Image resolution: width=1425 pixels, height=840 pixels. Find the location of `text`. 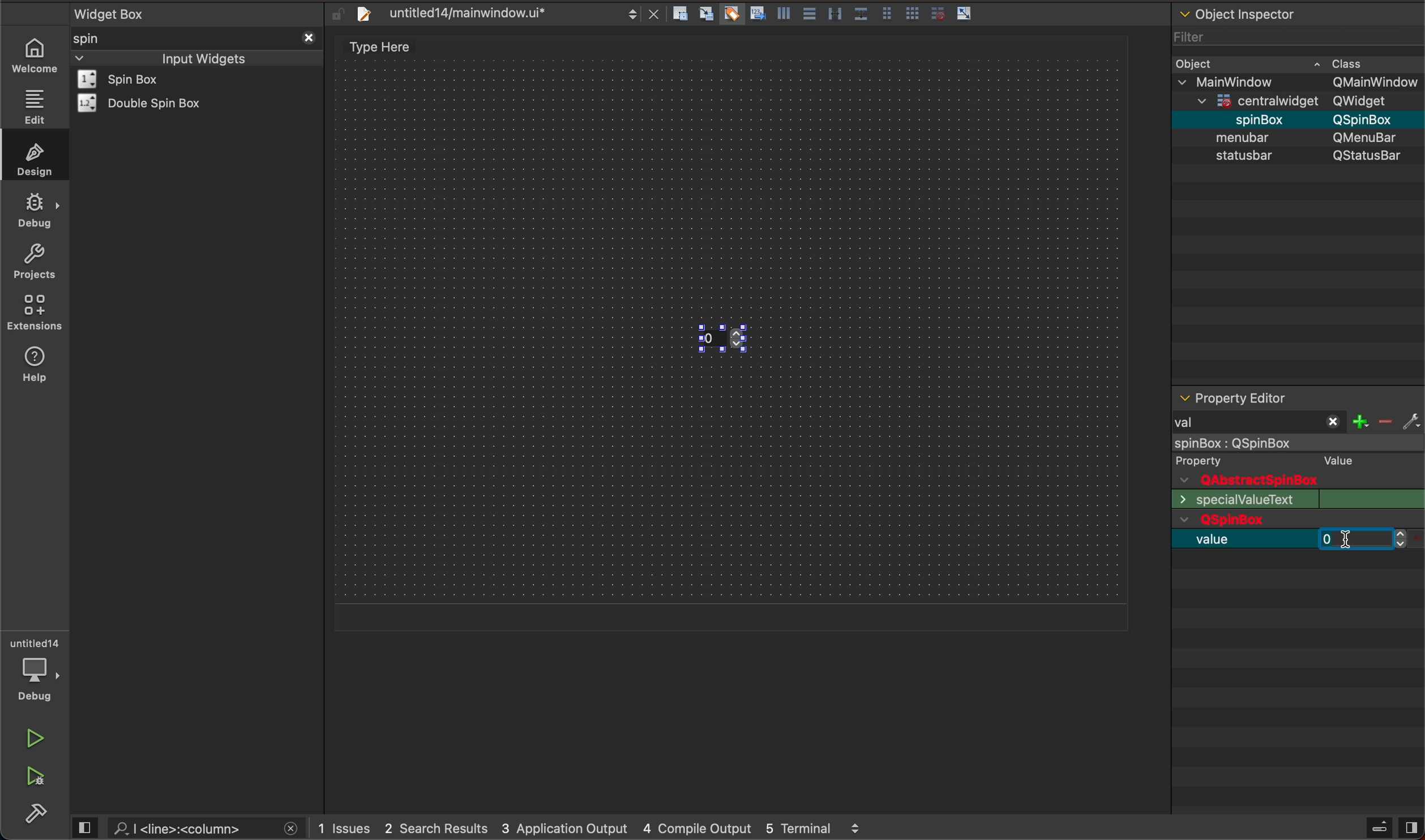

text is located at coordinates (1235, 157).